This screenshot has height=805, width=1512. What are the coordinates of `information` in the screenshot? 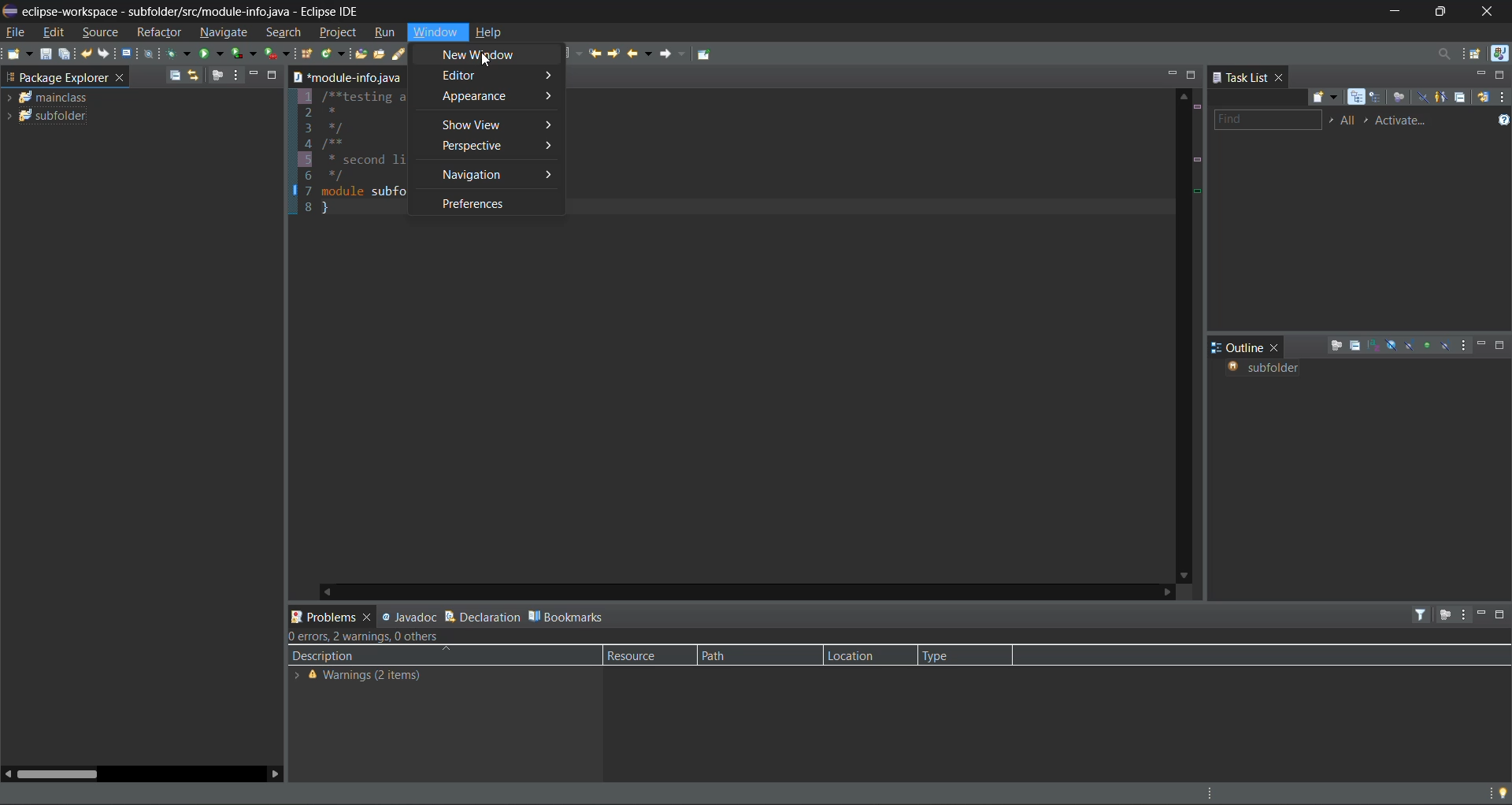 It's located at (358, 674).